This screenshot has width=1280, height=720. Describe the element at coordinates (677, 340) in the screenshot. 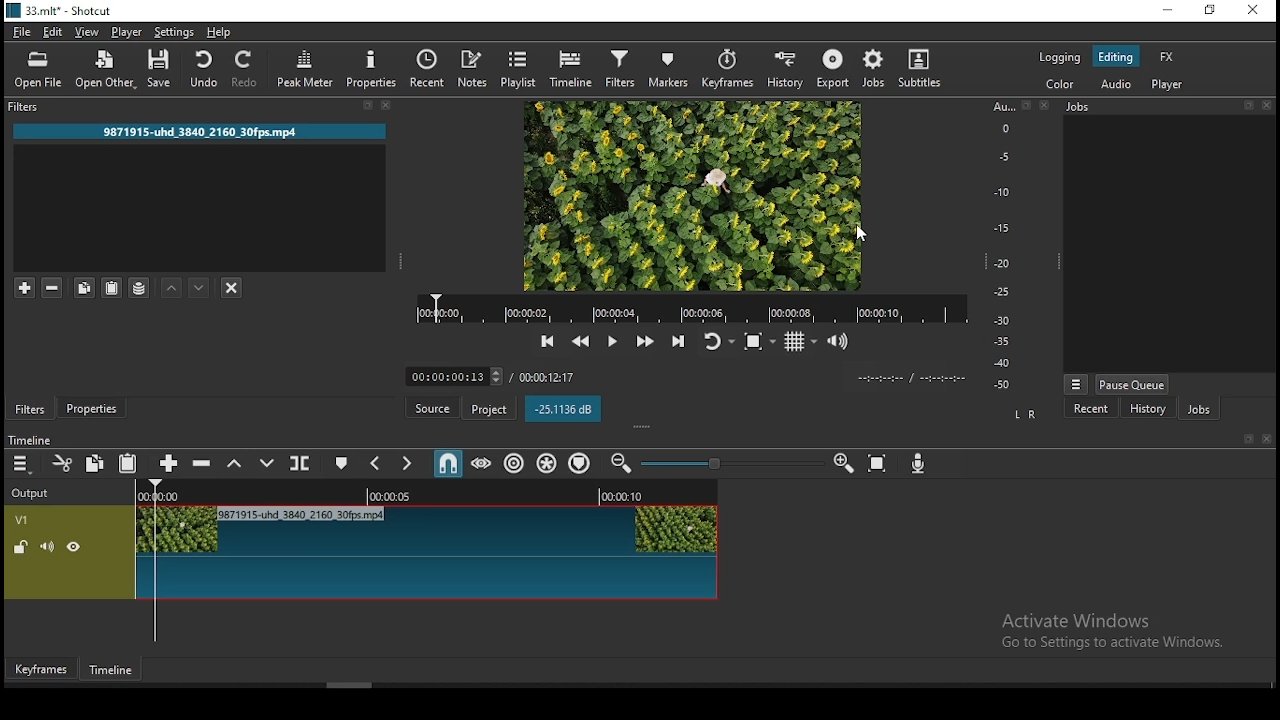

I see `skip to next point` at that location.